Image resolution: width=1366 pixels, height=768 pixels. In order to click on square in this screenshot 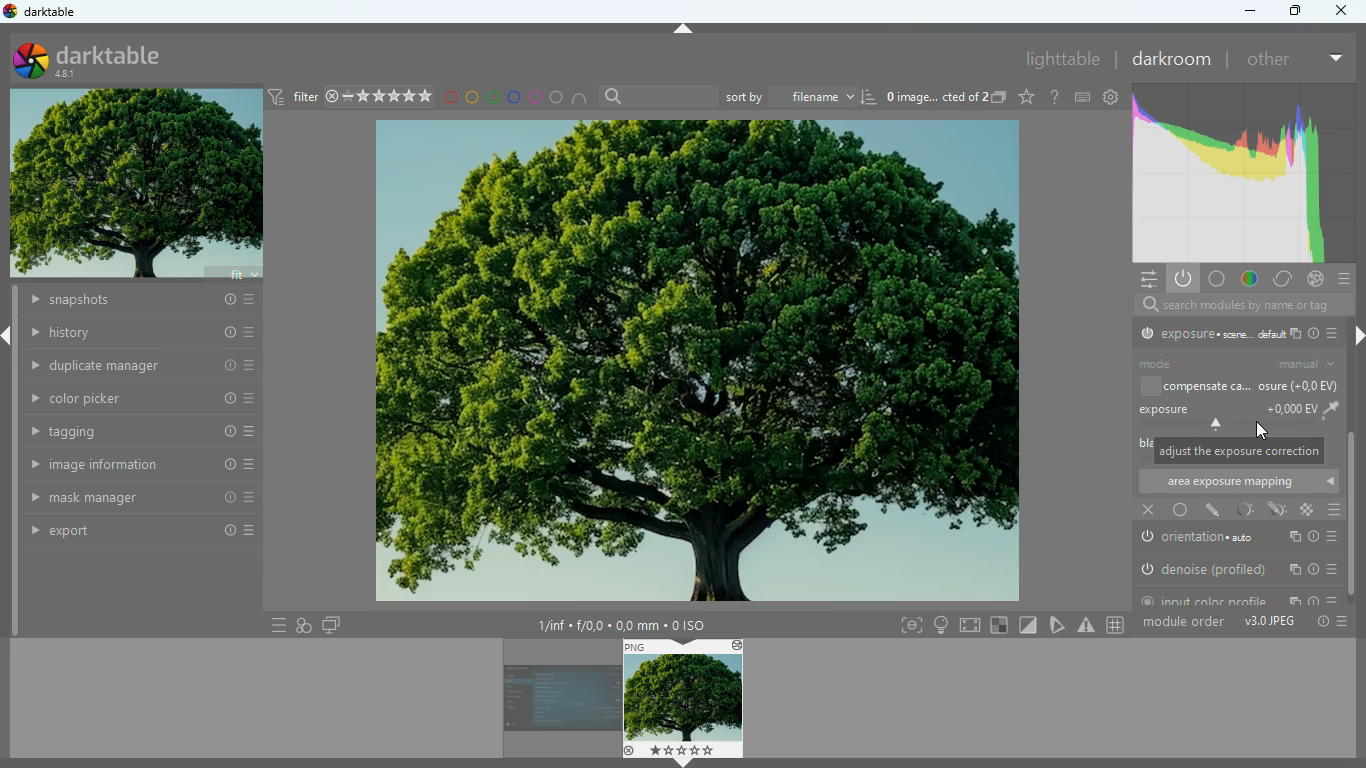, I will do `click(1000, 624)`.